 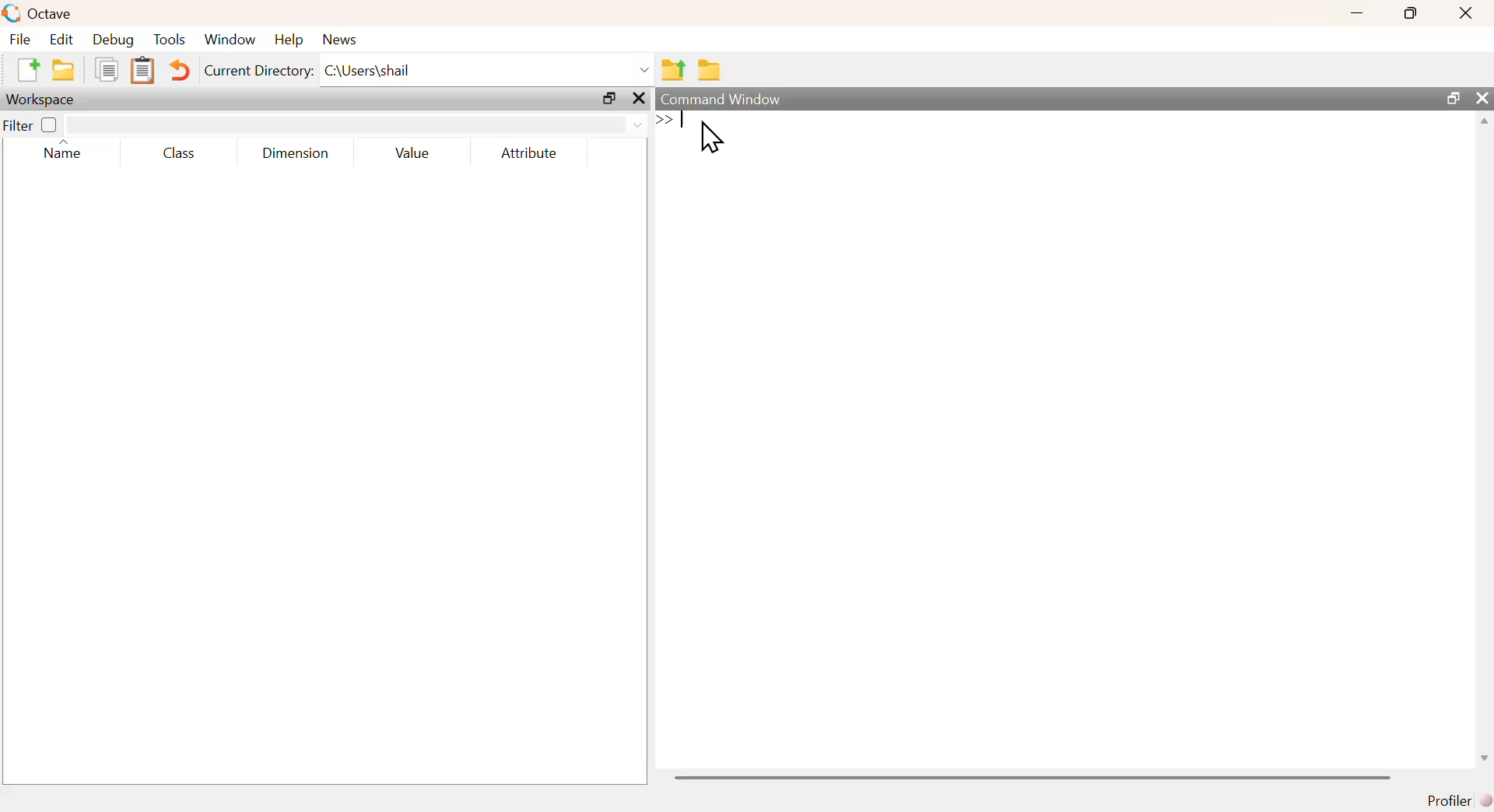 What do you see at coordinates (256, 72) in the screenshot?
I see `Current Directory:` at bounding box center [256, 72].